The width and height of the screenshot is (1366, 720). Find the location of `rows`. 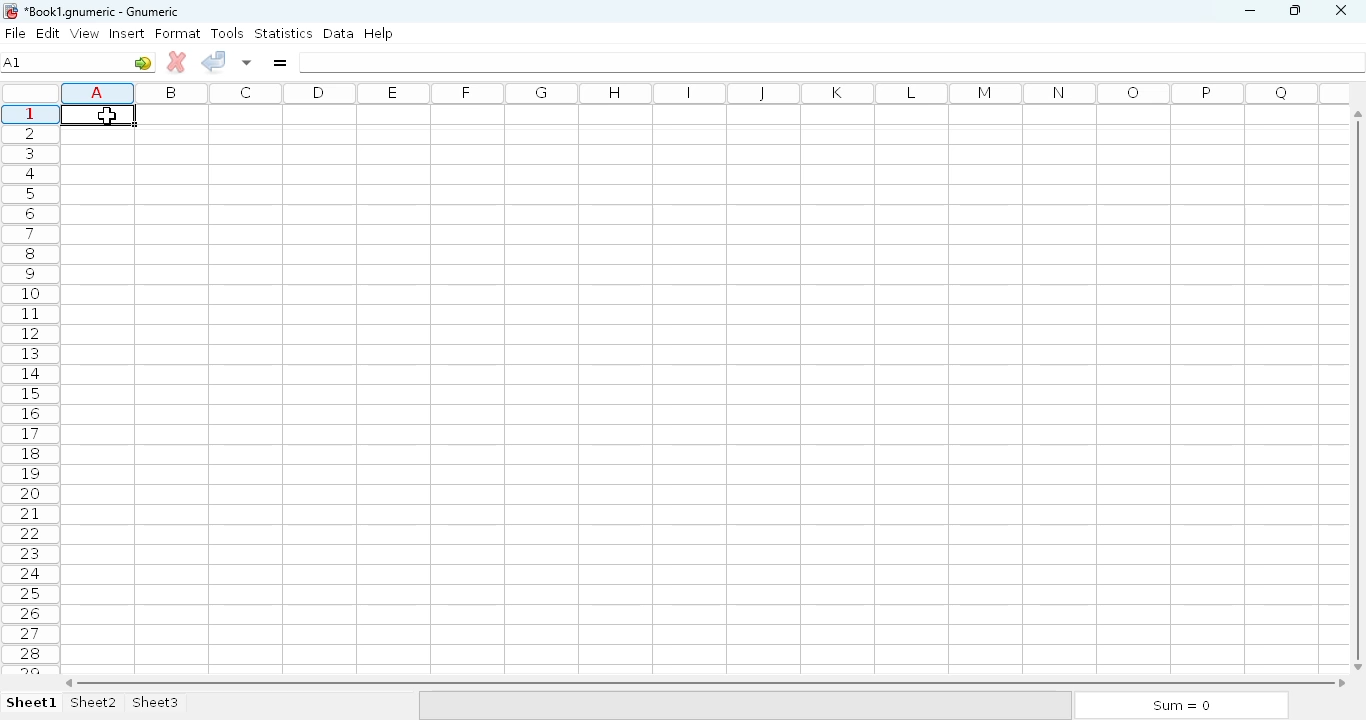

rows is located at coordinates (30, 389).